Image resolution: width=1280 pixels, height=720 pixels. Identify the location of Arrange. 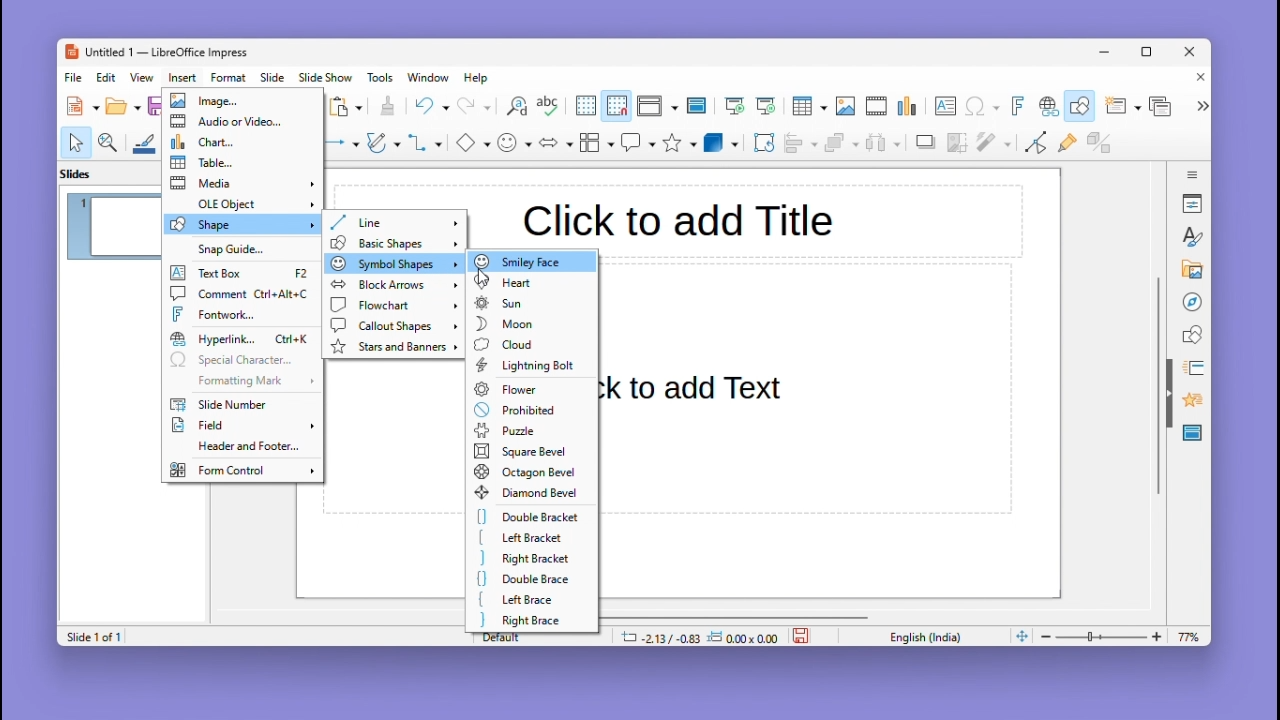
(839, 145).